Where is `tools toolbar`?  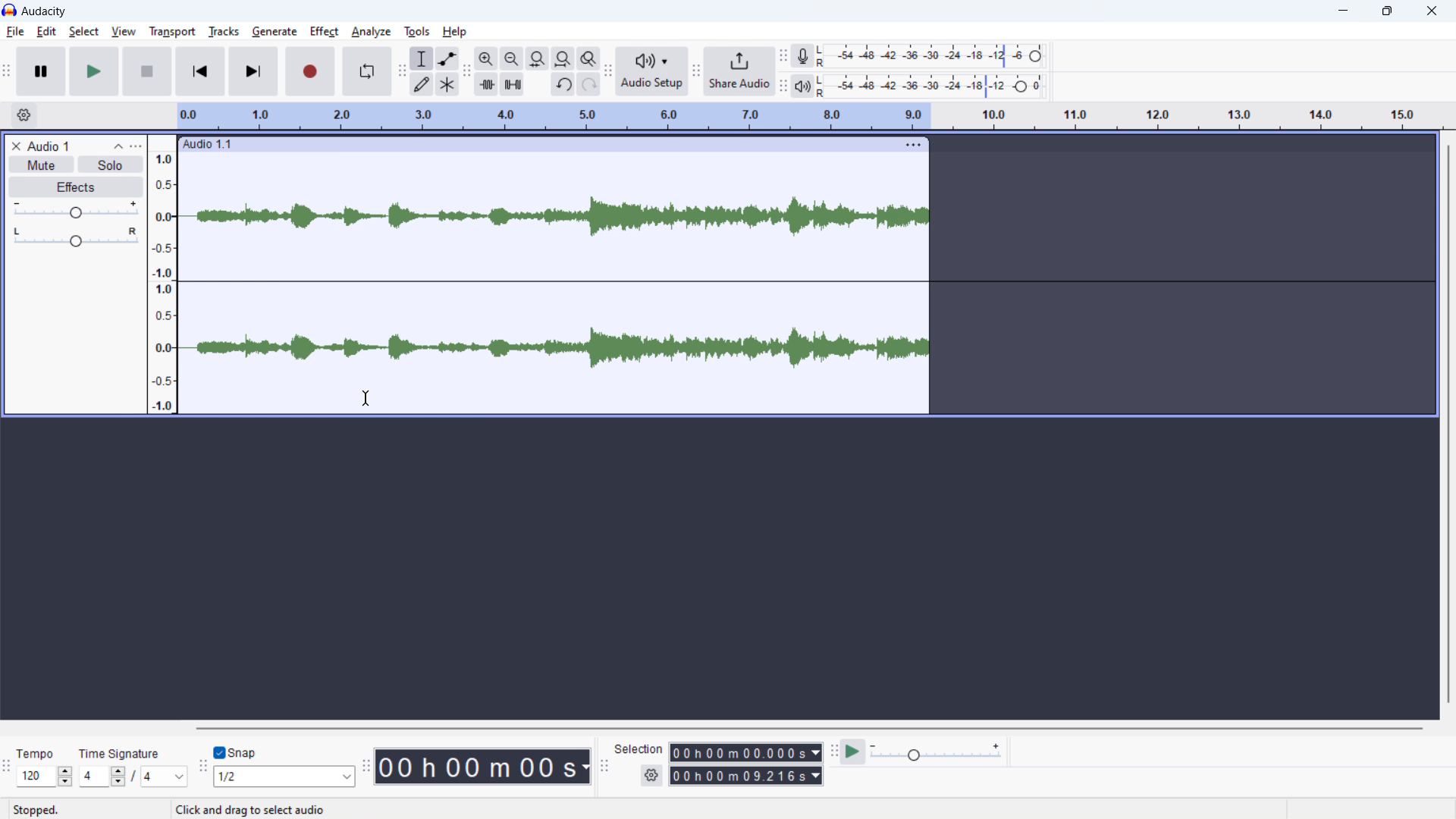 tools toolbar is located at coordinates (402, 71).